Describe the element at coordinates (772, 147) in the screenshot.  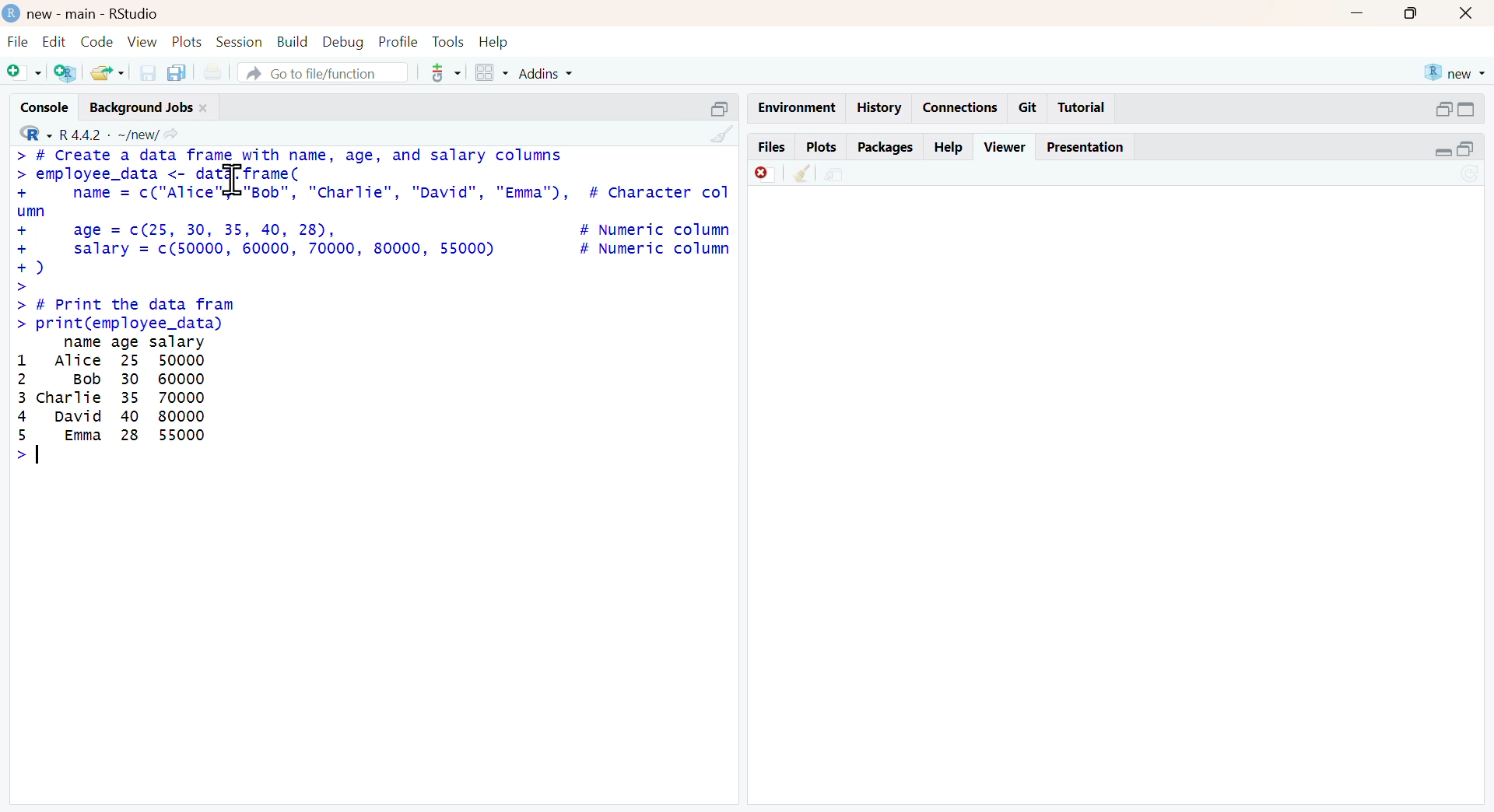
I see `Files` at that location.